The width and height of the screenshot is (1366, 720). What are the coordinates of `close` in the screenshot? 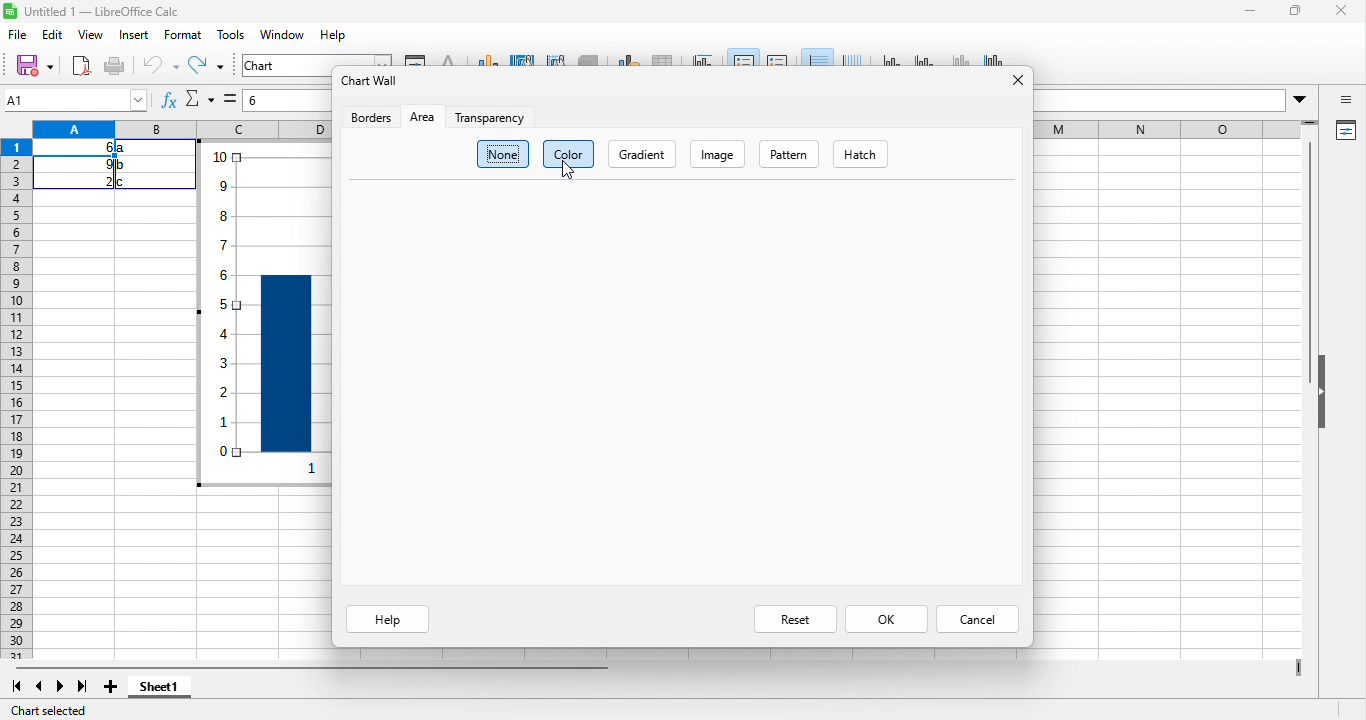 It's located at (1344, 12).